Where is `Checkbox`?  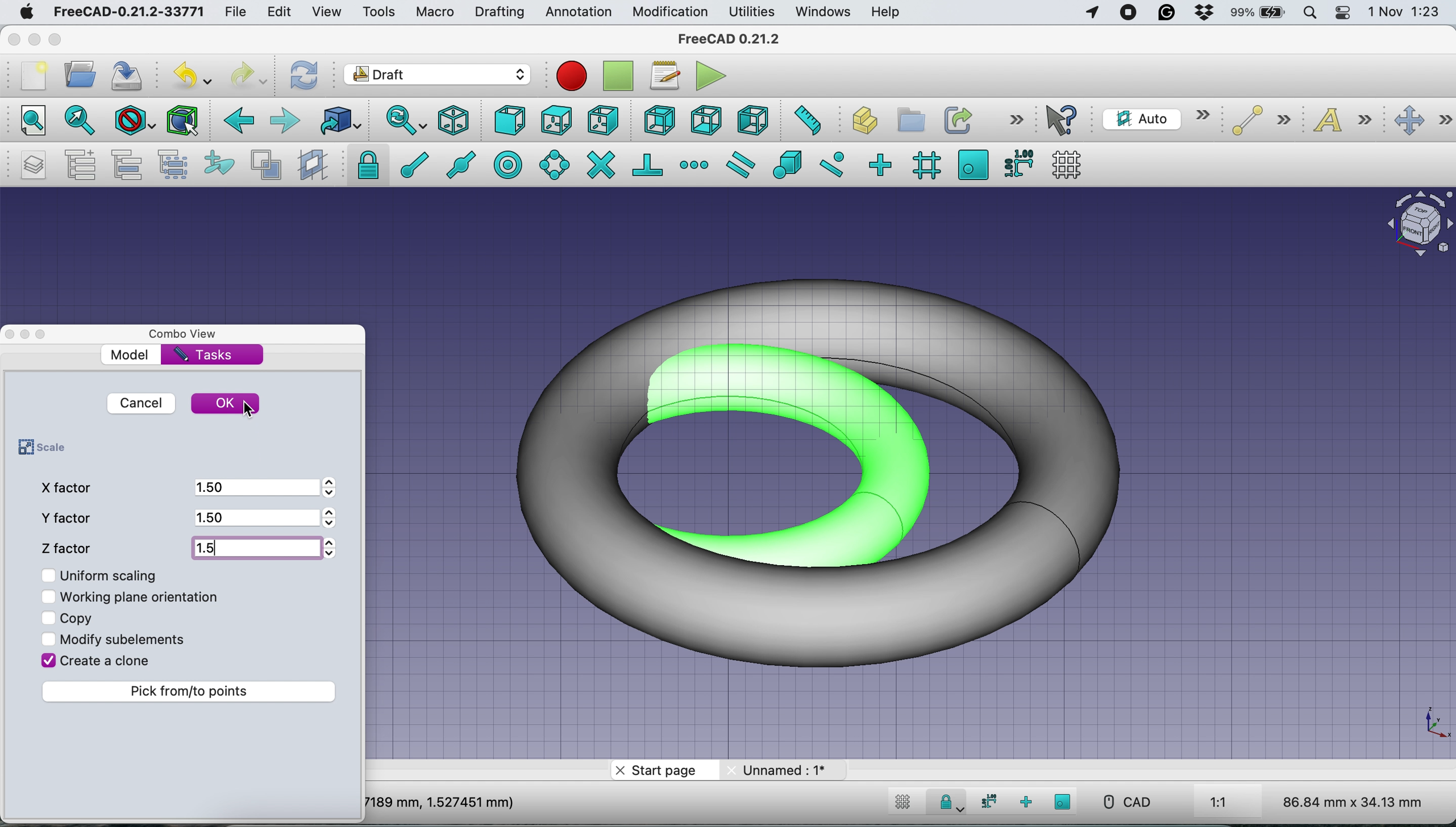
Checkbox is located at coordinates (49, 597).